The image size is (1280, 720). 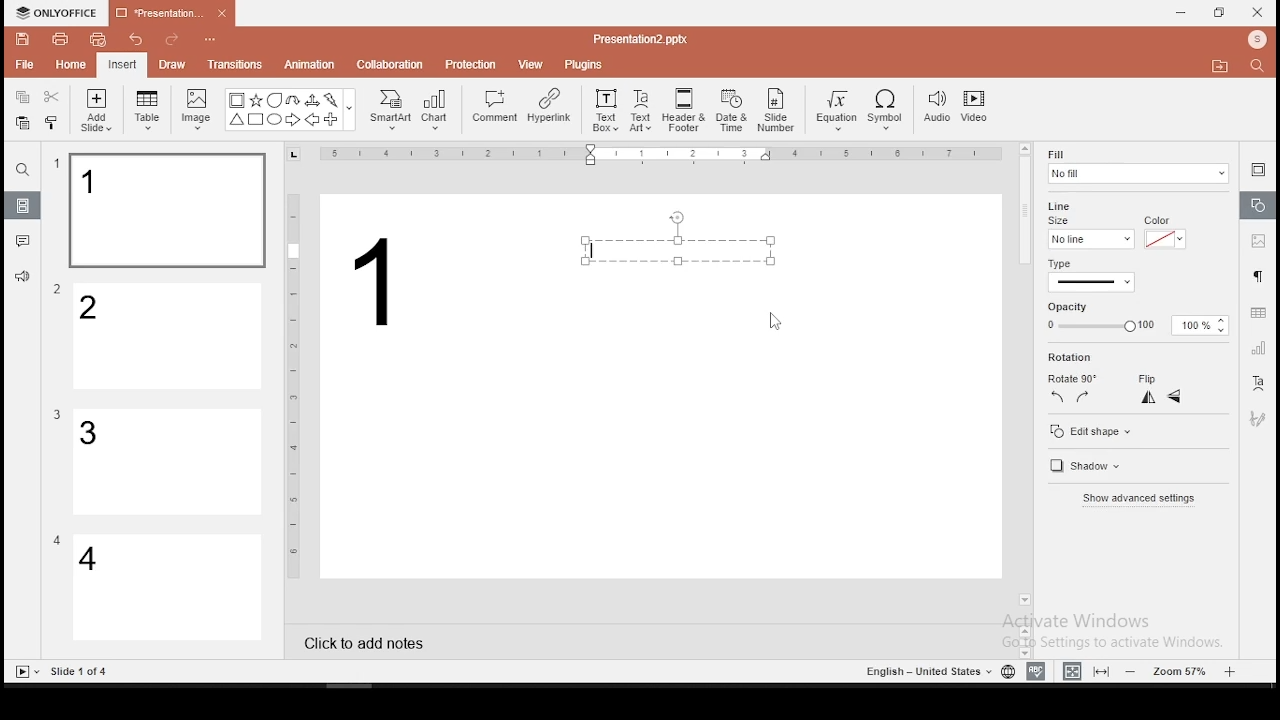 I want to click on icon, so click(x=60, y=13).